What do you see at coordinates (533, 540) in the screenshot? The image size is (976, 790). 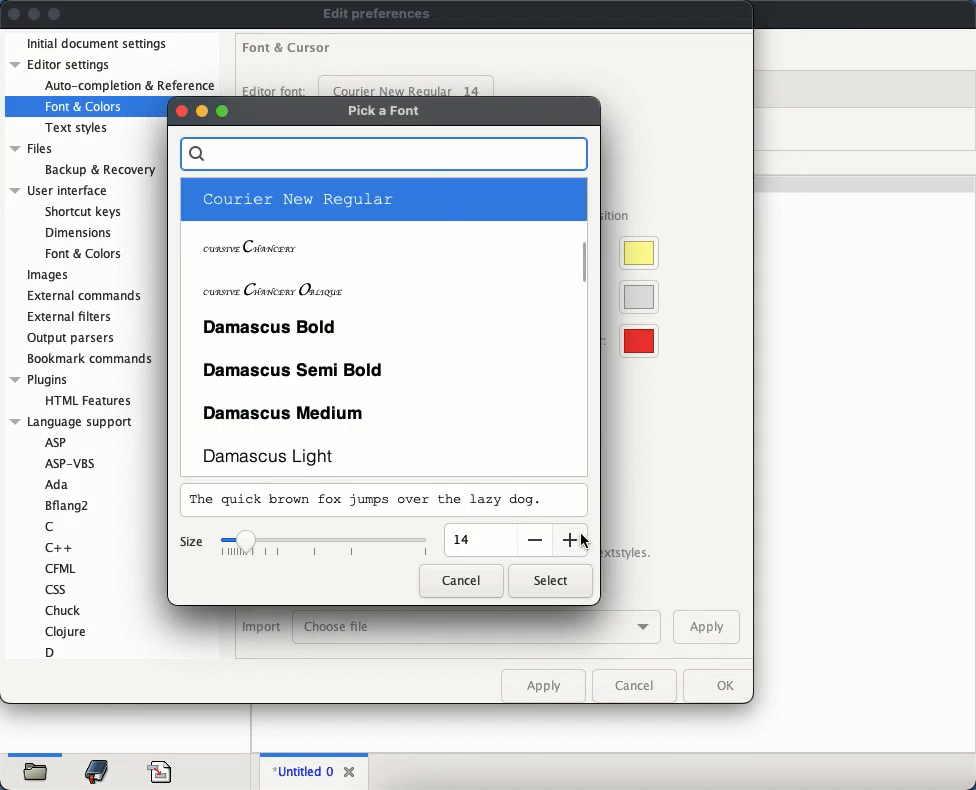 I see `decrease` at bounding box center [533, 540].